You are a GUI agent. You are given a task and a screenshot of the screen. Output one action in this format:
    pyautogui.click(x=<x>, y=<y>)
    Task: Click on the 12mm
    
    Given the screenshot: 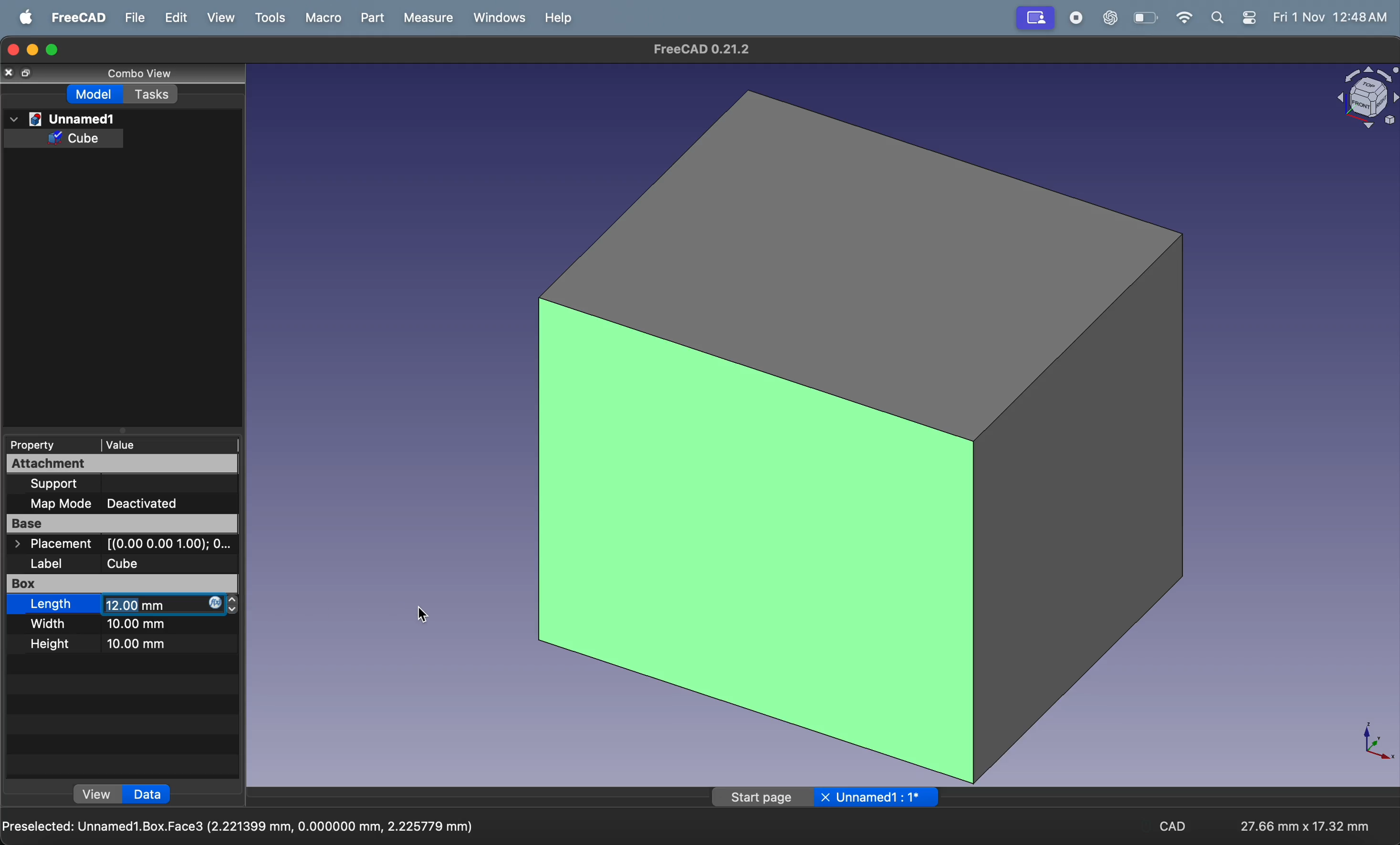 What is the action you would take?
    pyautogui.click(x=162, y=605)
    